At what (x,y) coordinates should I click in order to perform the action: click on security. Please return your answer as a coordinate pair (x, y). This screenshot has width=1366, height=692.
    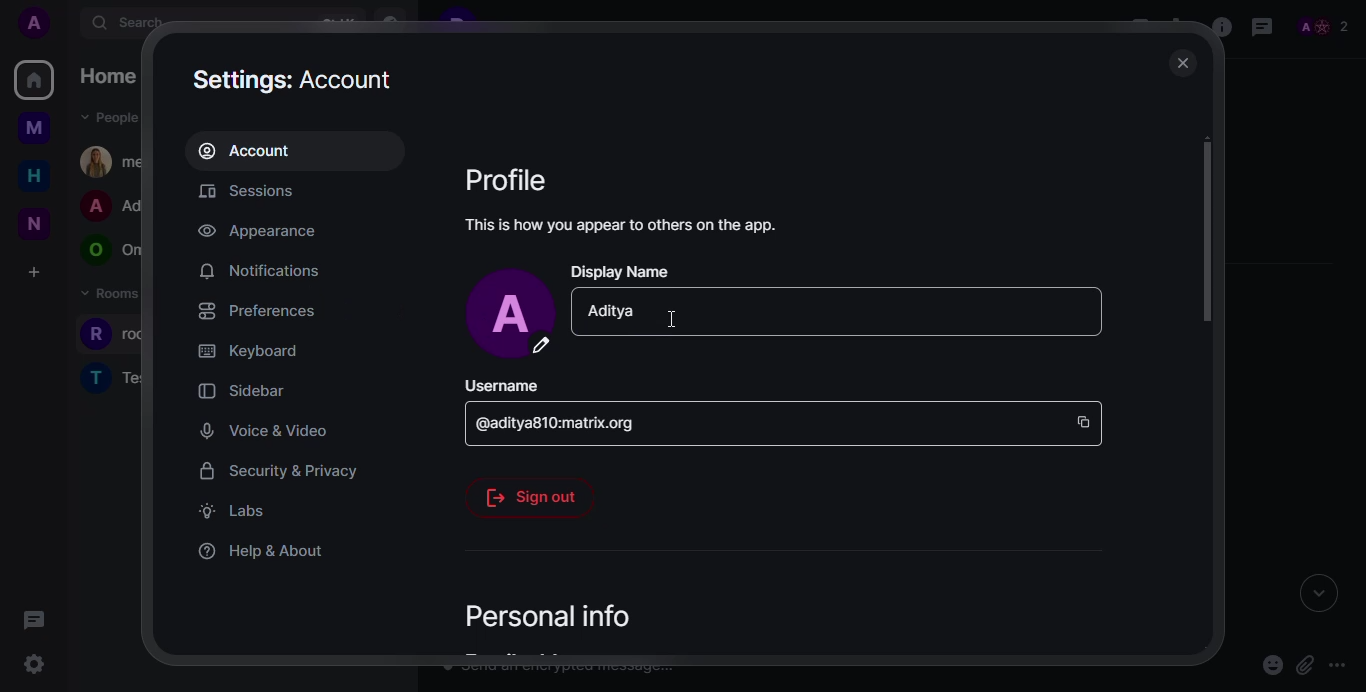
    Looking at the image, I should click on (282, 469).